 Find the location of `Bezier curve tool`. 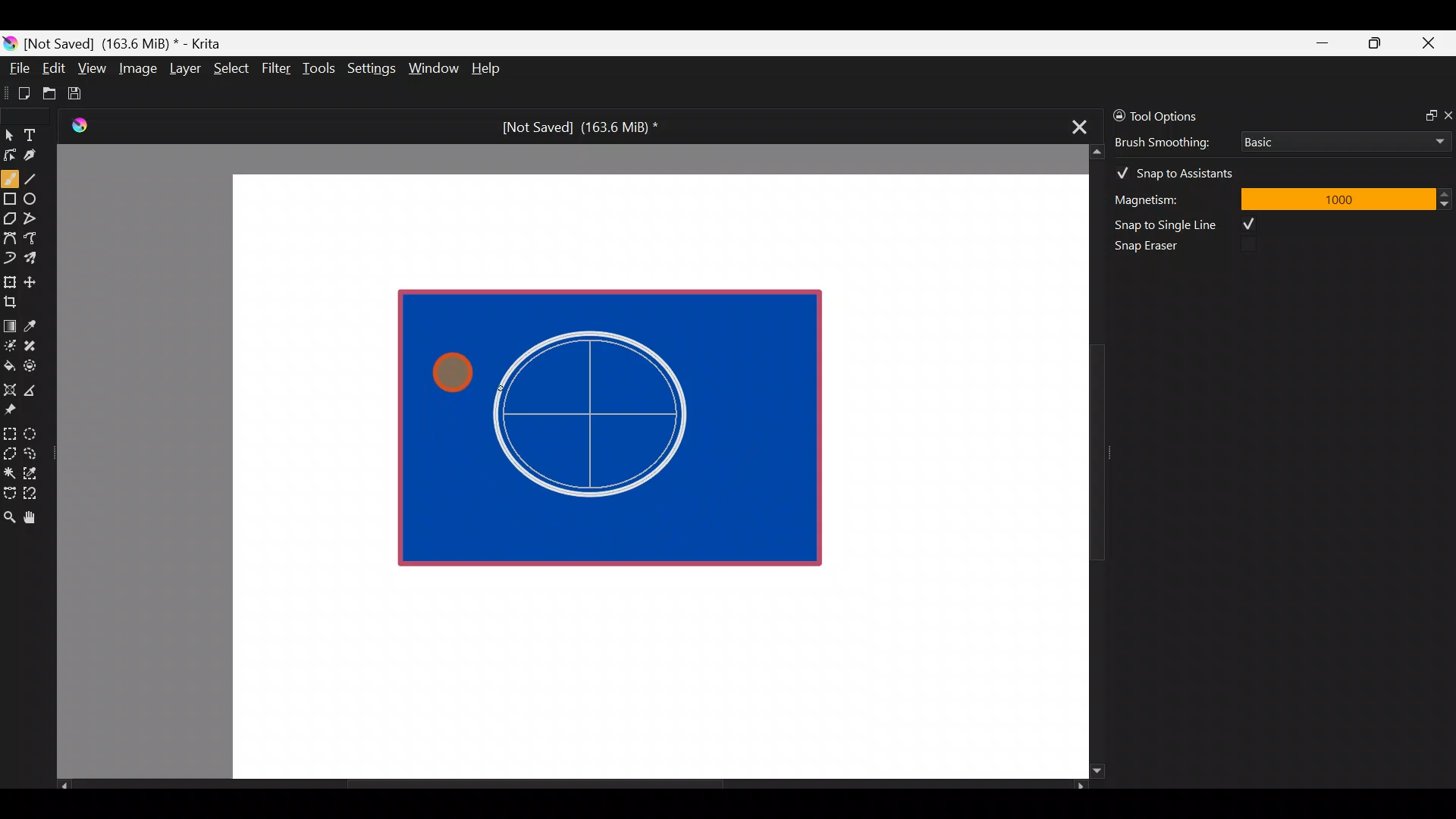

Bezier curve tool is located at coordinates (9, 240).